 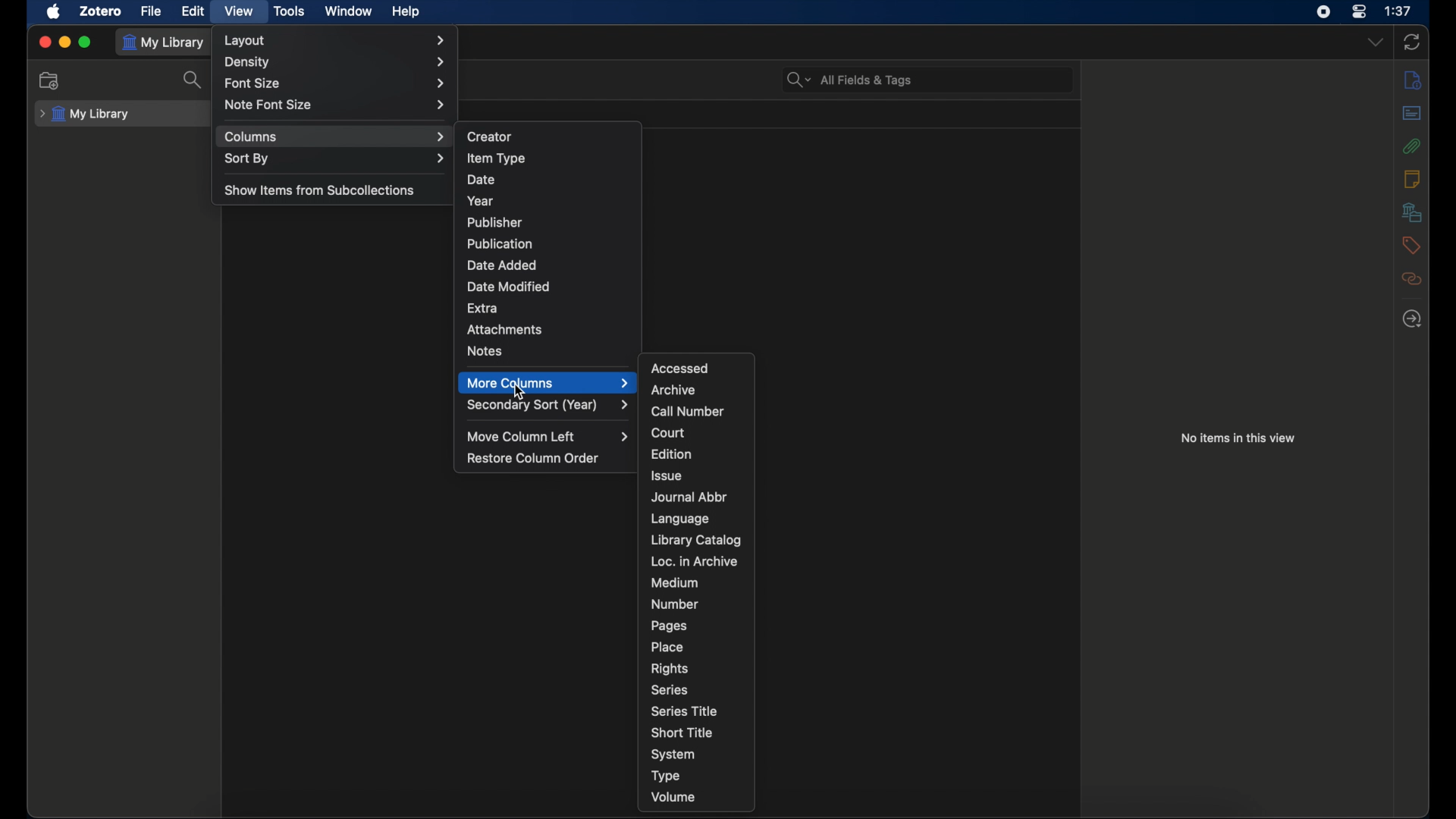 What do you see at coordinates (696, 539) in the screenshot?
I see `library catalog` at bounding box center [696, 539].